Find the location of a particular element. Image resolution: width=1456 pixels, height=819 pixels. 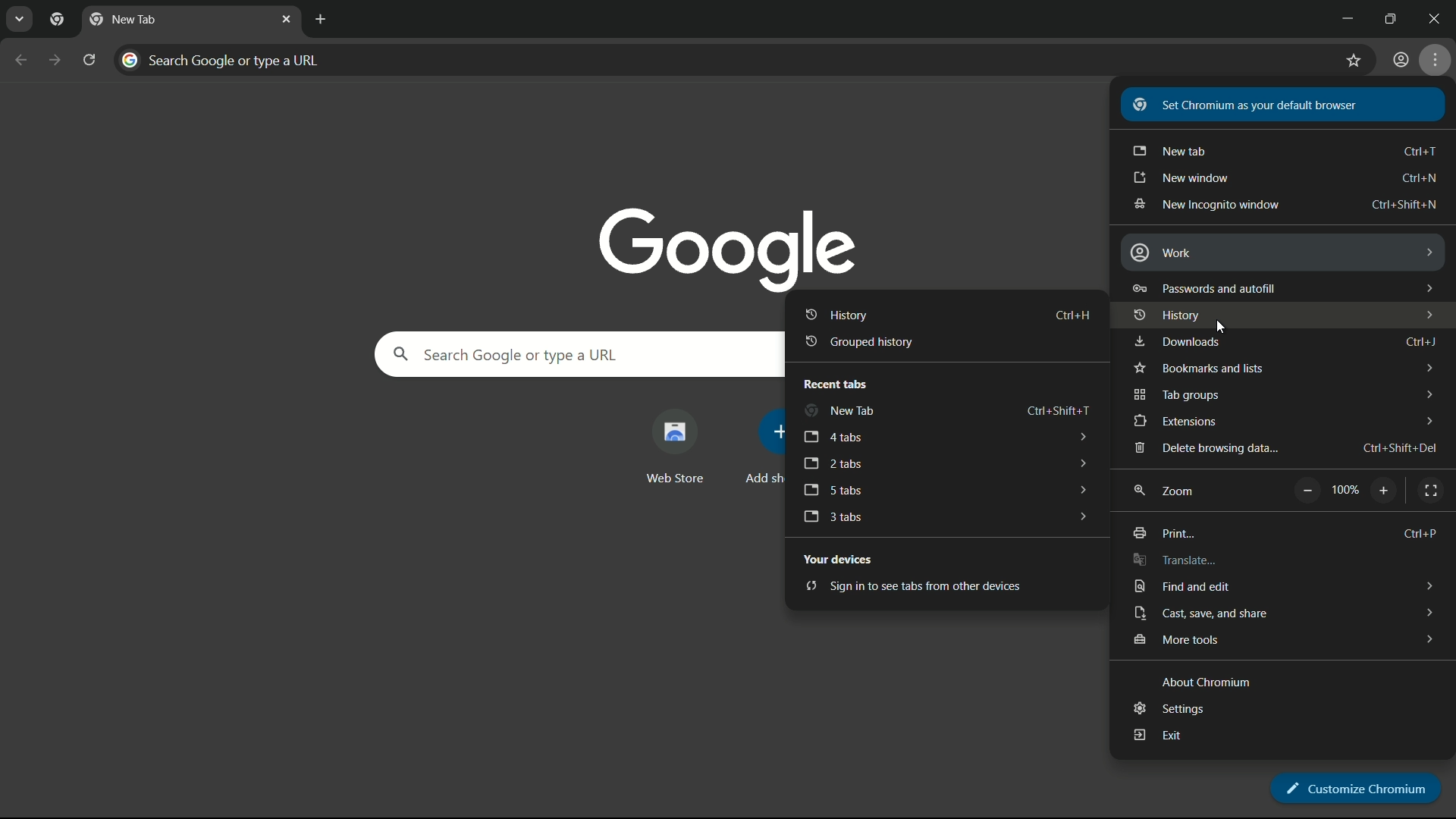

google is located at coordinates (727, 242).